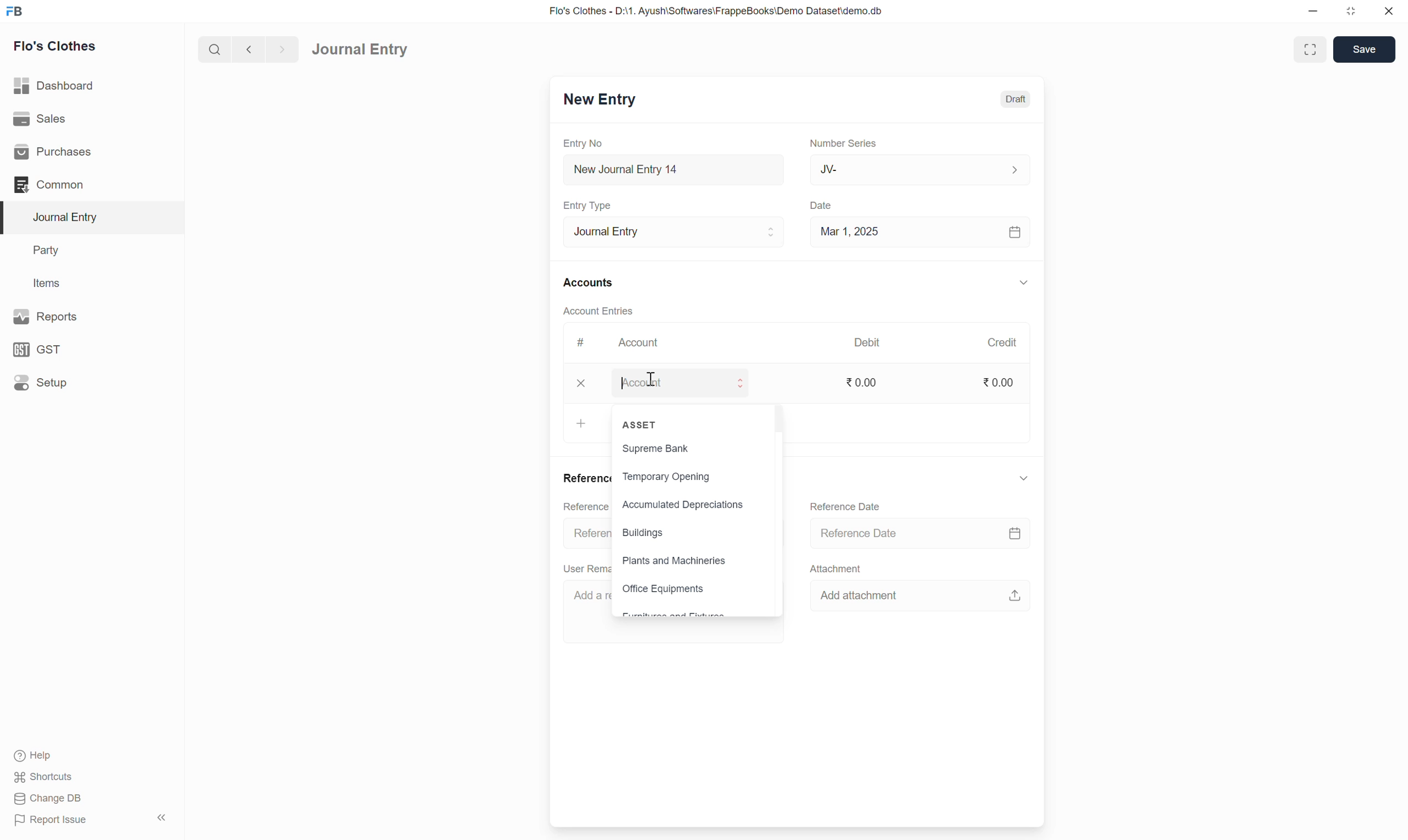 The height and width of the screenshot is (840, 1408). Describe the element at coordinates (48, 777) in the screenshot. I see `Shortcuts` at that location.